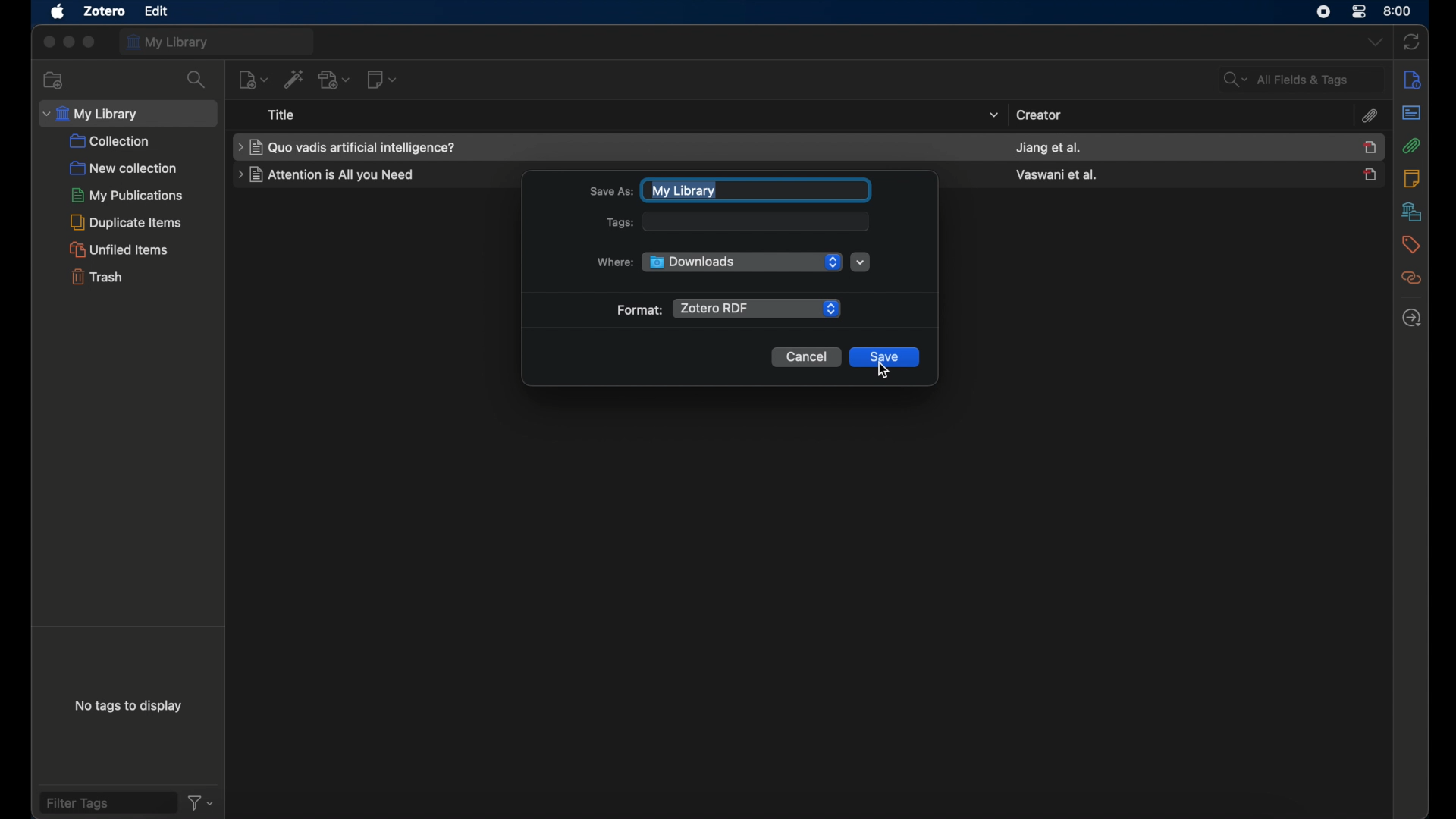 The width and height of the screenshot is (1456, 819). What do you see at coordinates (1410, 245) in the screenshot?
I see `tags` at bounding box center [1410, 245].